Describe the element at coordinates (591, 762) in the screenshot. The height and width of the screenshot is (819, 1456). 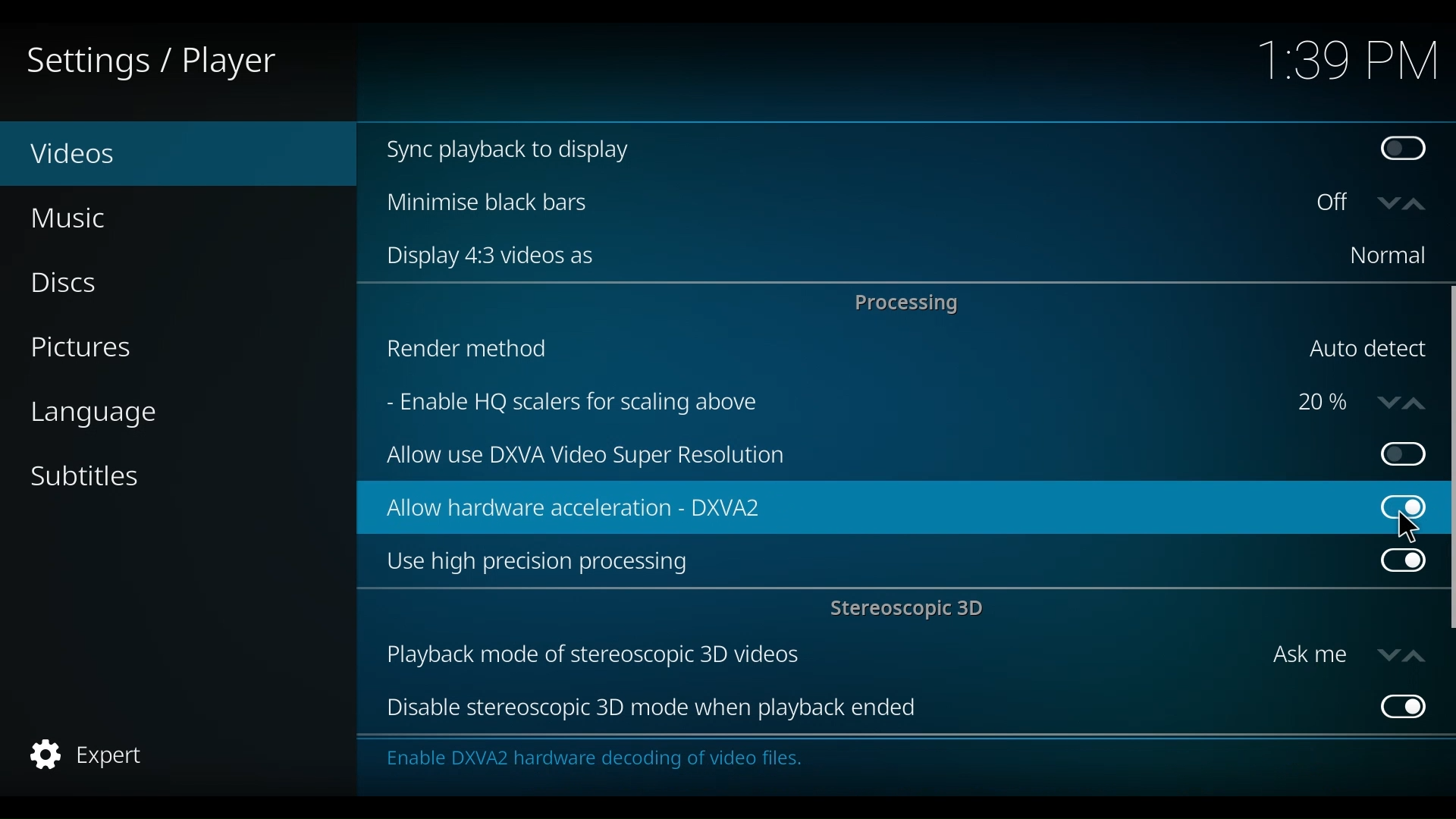
I see `Enable DXVA2 hardware decoding of video files` at that location.